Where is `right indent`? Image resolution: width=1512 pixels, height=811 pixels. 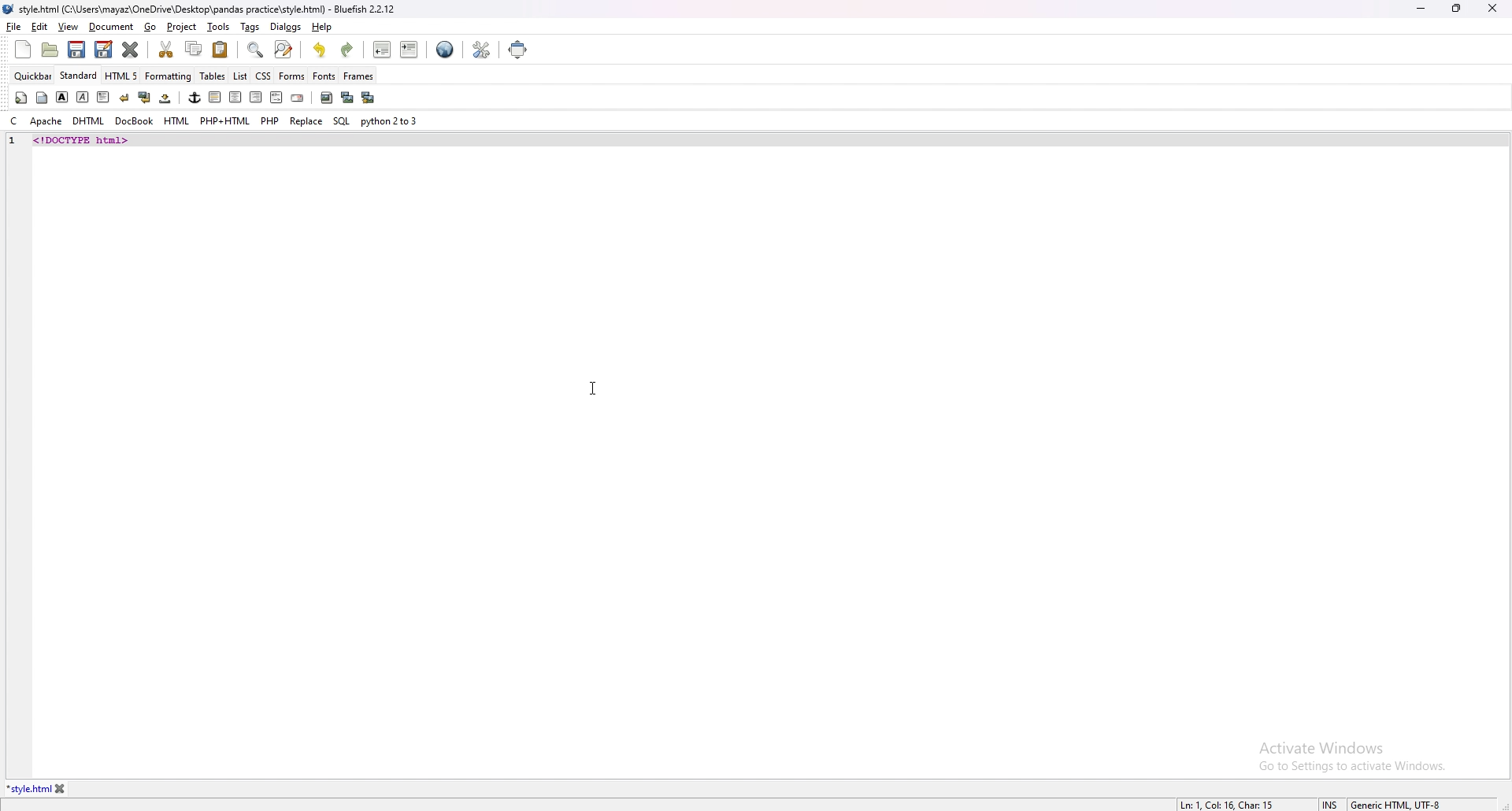
right indent is located at coordinates (254, 97).